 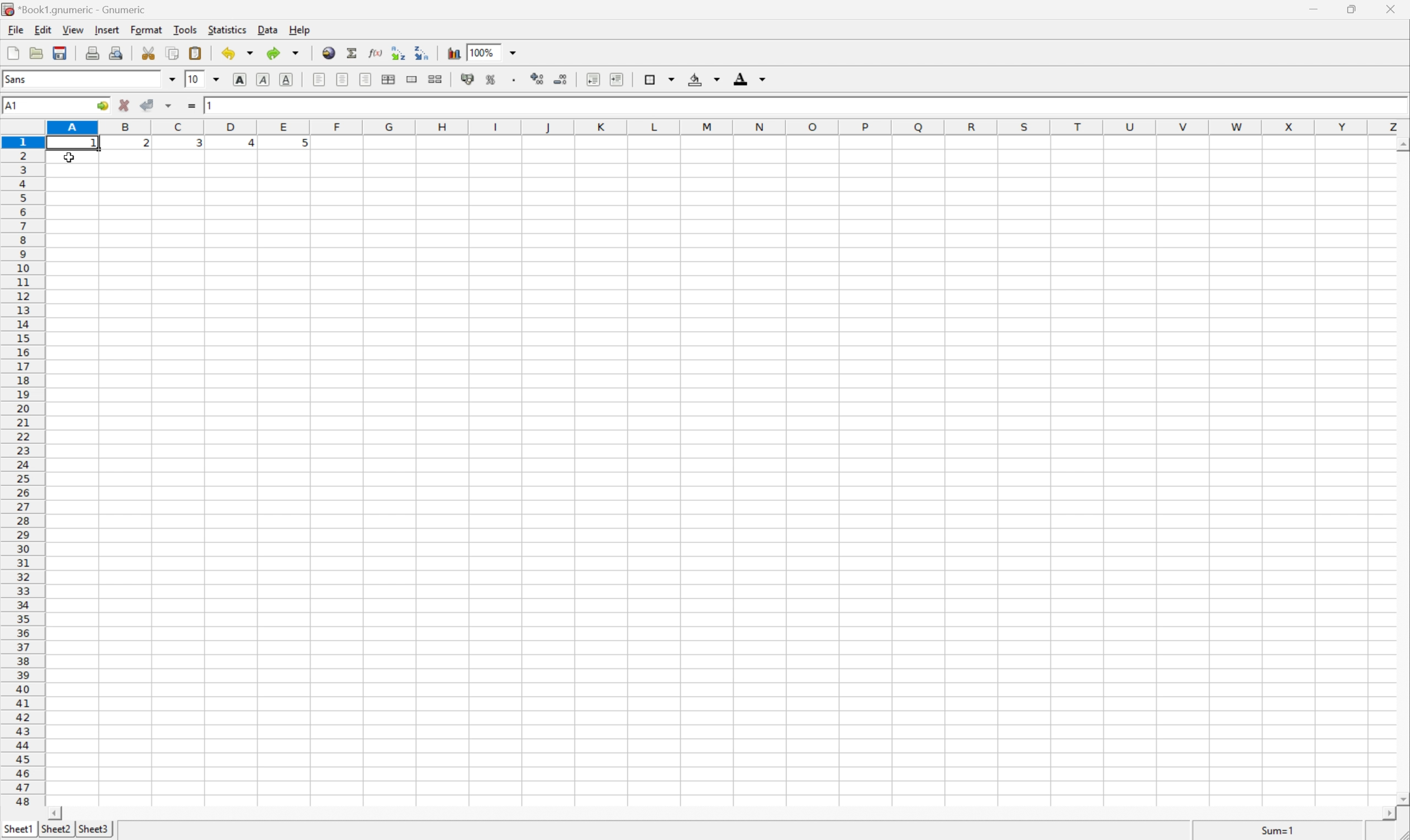 What do you see at coordinates (1393, 8) in the screenshot?
I see `close` at bounding box center [1393, 8].